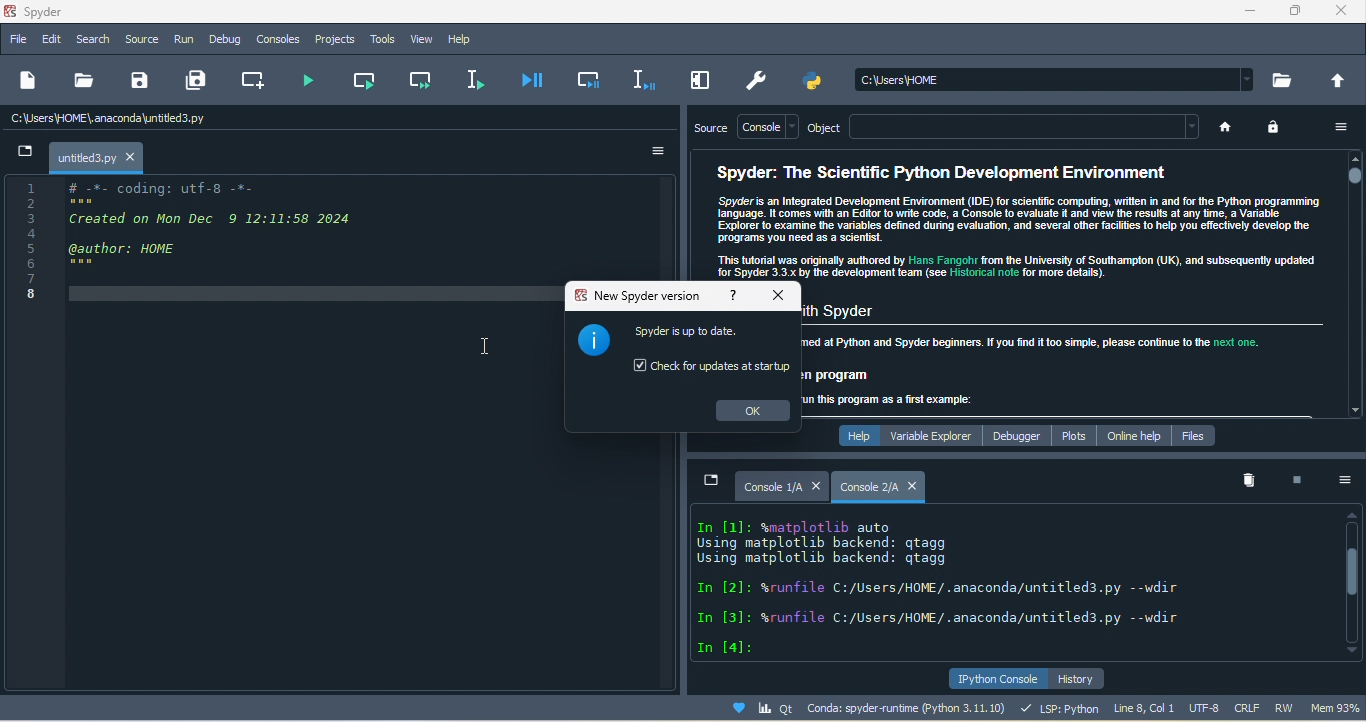 The width and height of the screenshot is (1366, 722). Describe the element at coordinates (202, 81) in the screenshot. I see `save all` at that location.